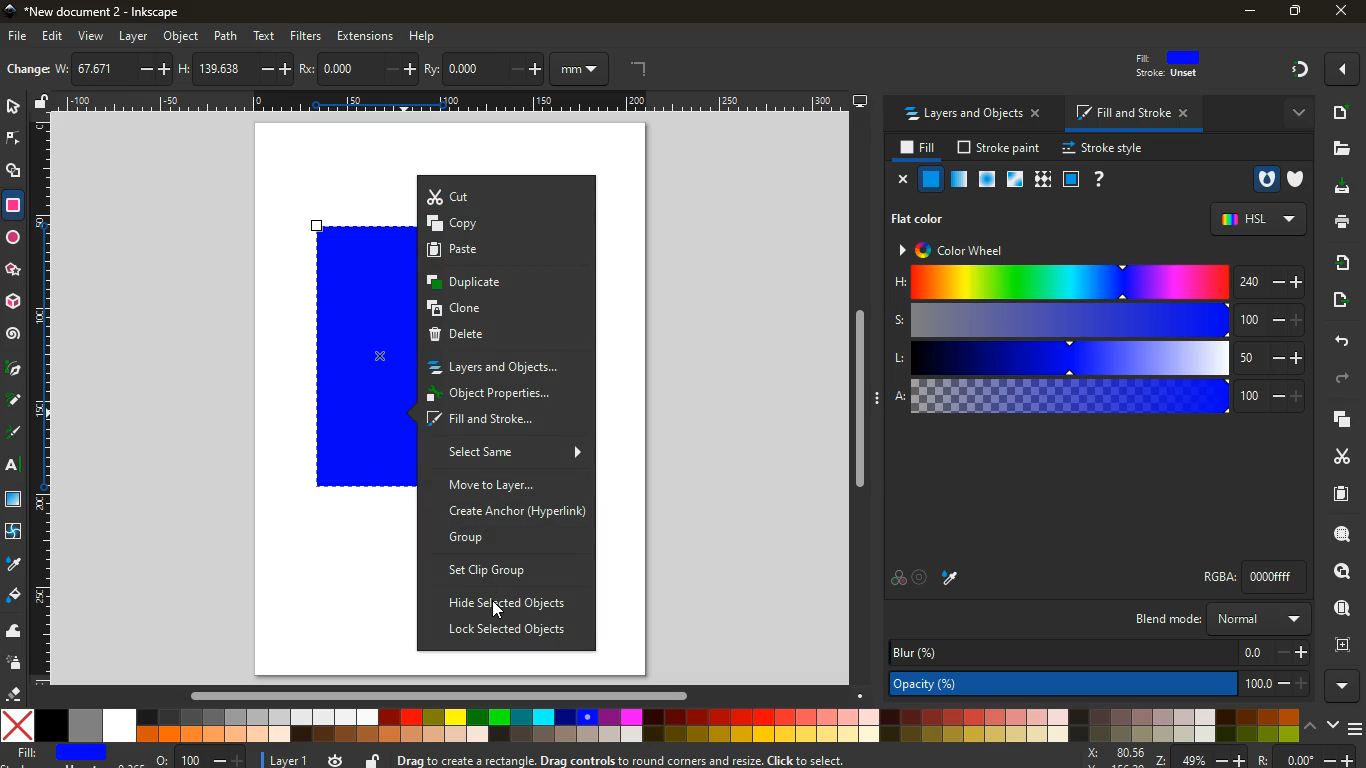 The width and height of the screenshot is (1366, 768). I want to click on find, so click(1341, 608).